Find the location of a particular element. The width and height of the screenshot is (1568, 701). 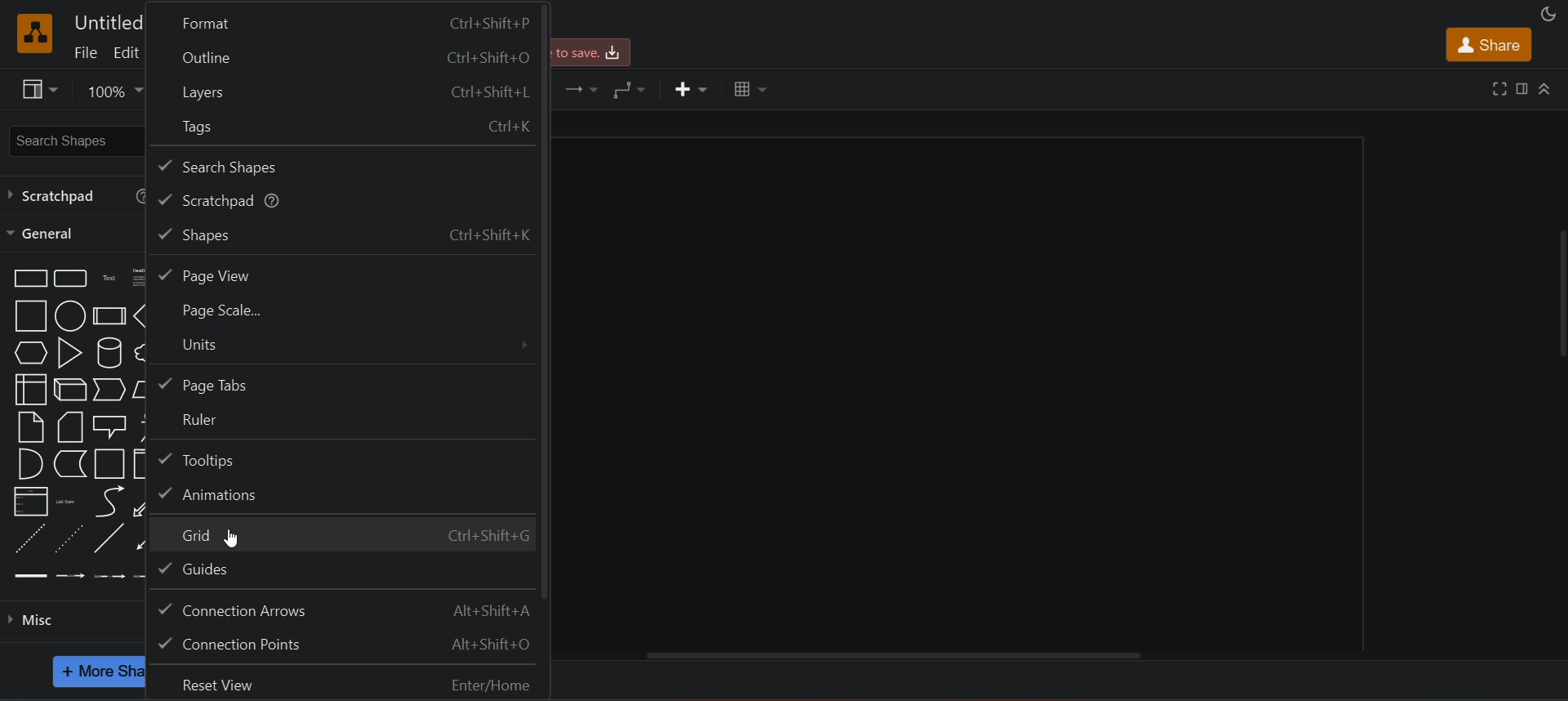

shapes is located at coordinates (348, 238).